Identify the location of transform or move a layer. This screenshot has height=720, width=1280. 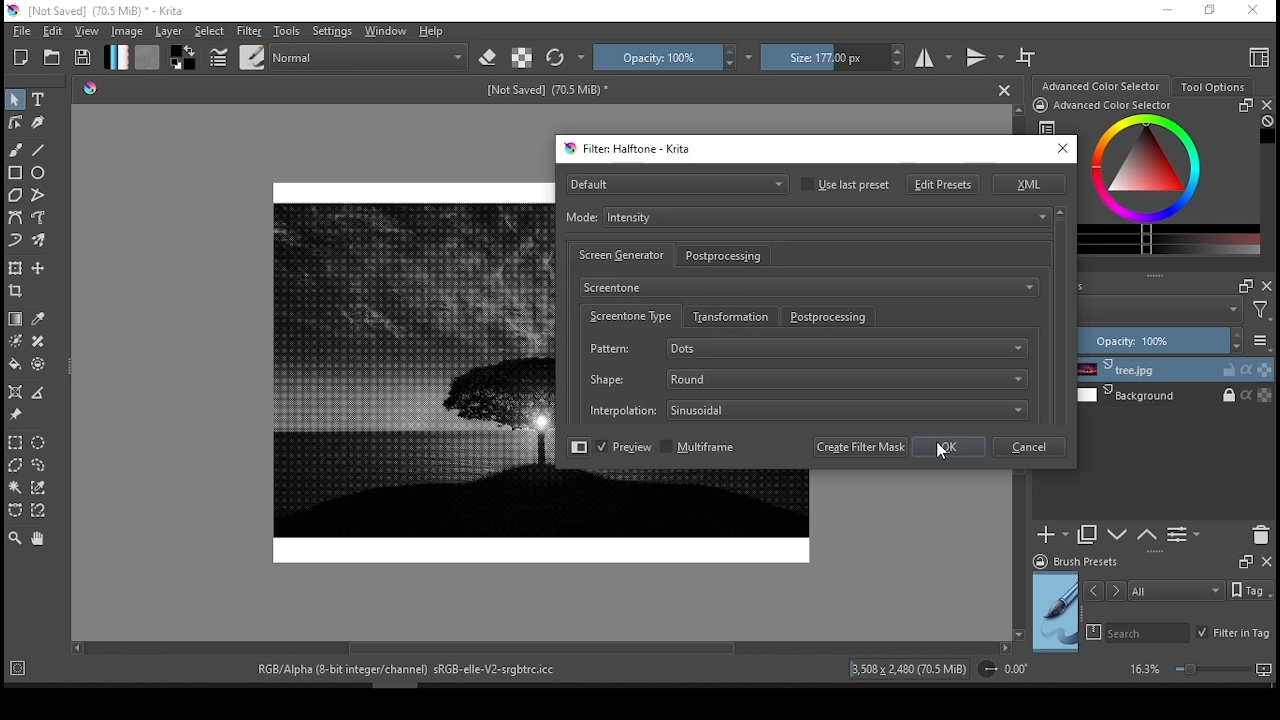
(15, 268).